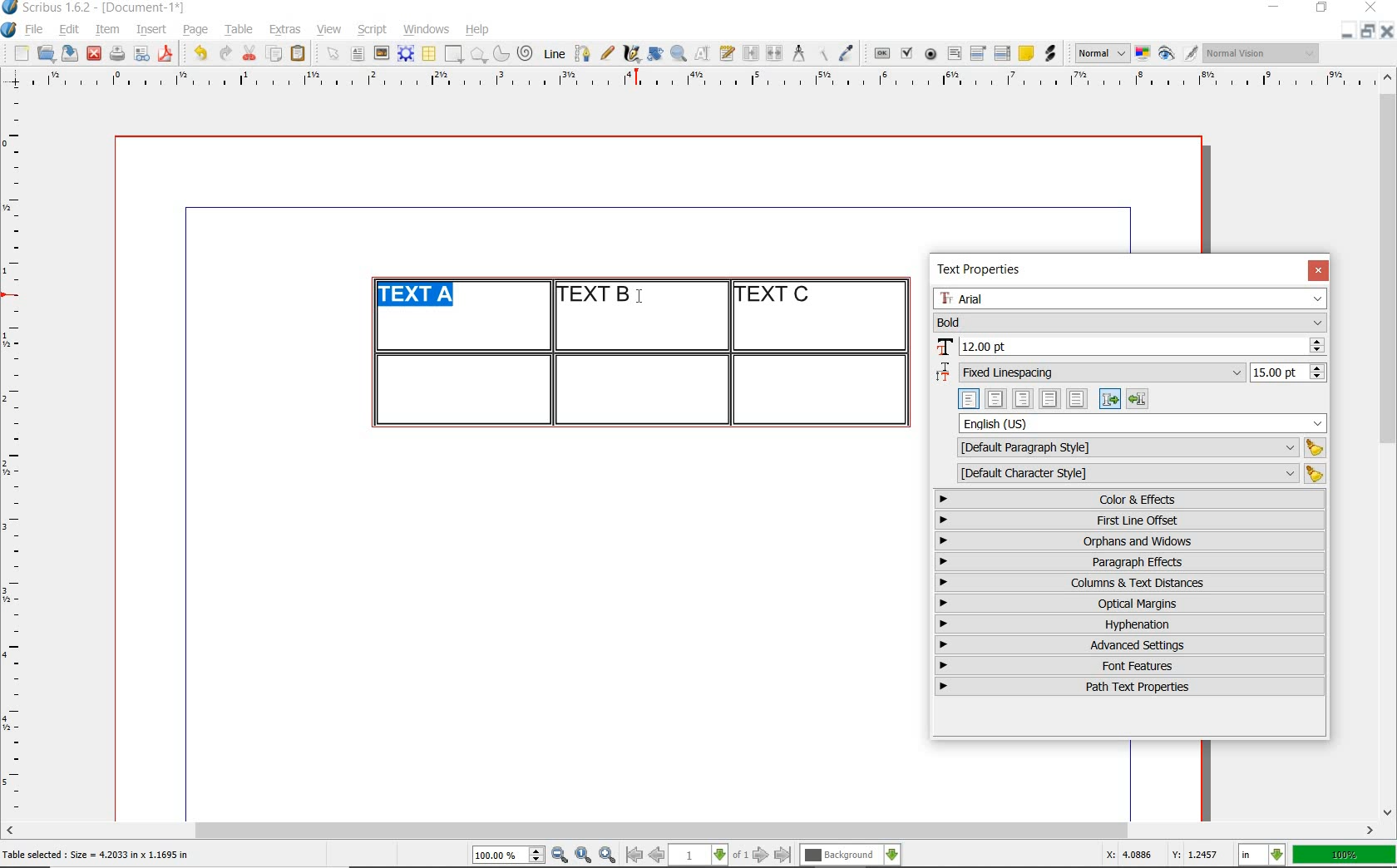 This screenshot has height=868, width=1397. I want to click on system logo, so click(10, 30).